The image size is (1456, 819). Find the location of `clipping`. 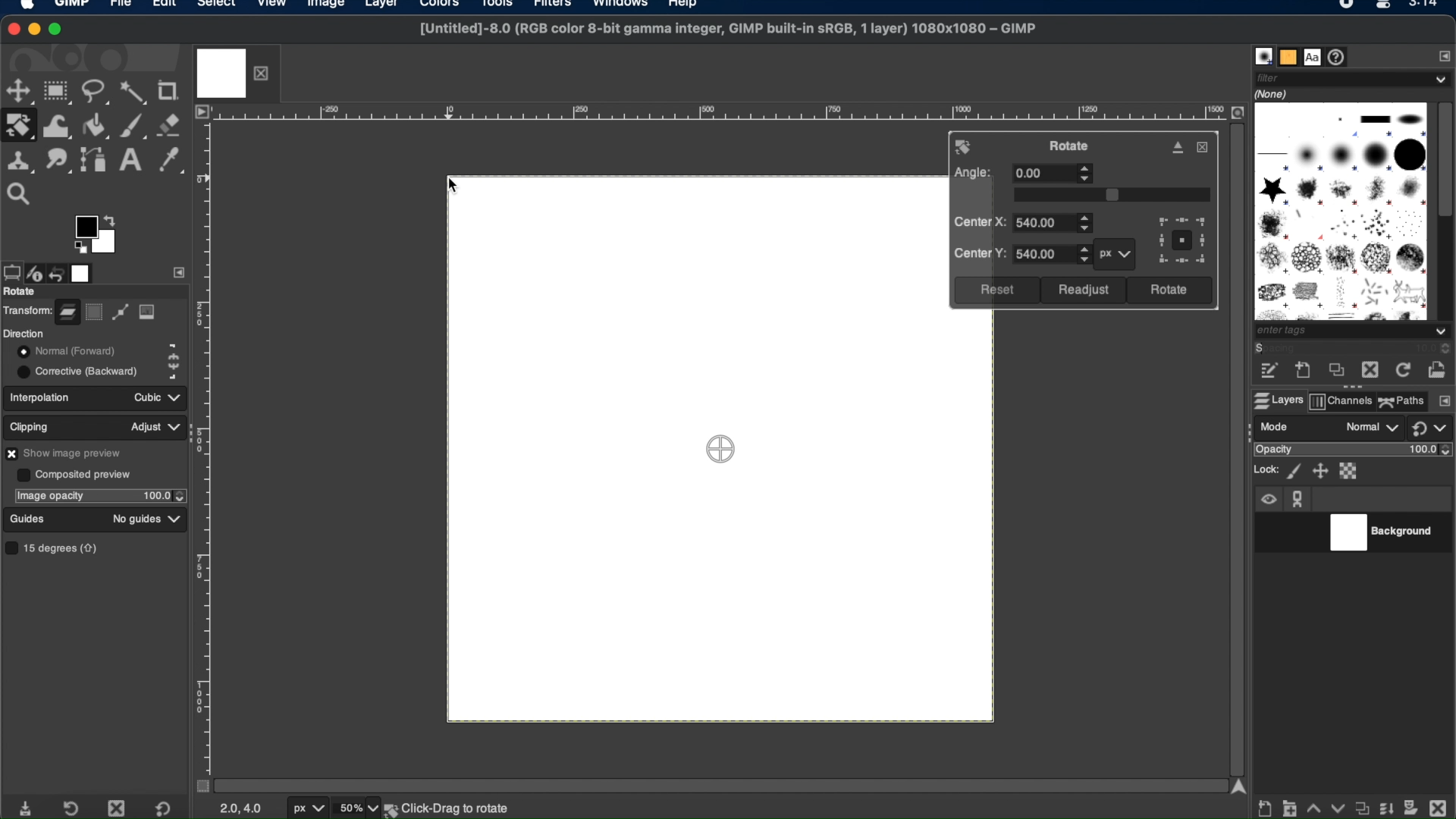

clipping is located at coordinates (32, 425).